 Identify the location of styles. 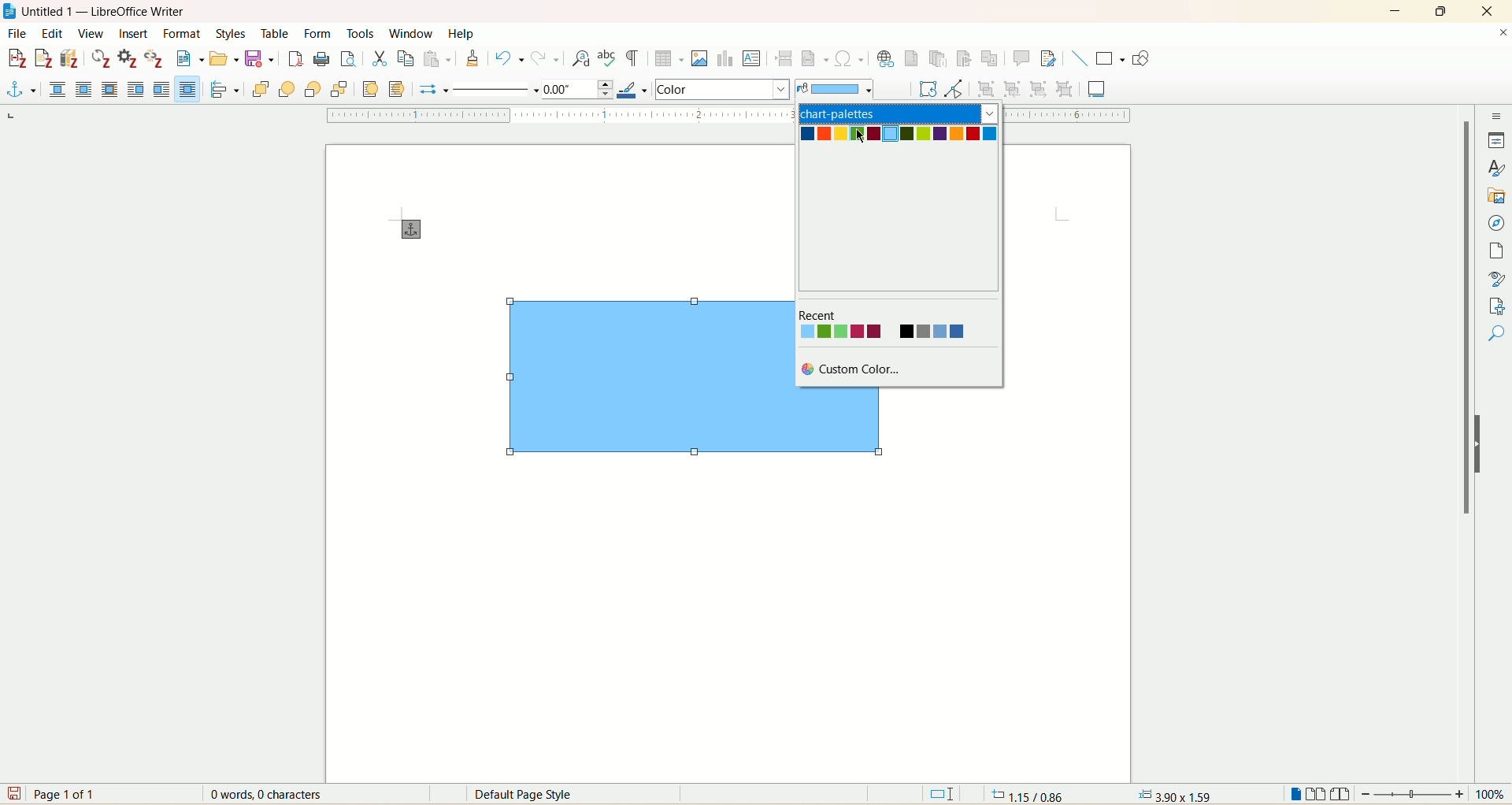
(229, 33).